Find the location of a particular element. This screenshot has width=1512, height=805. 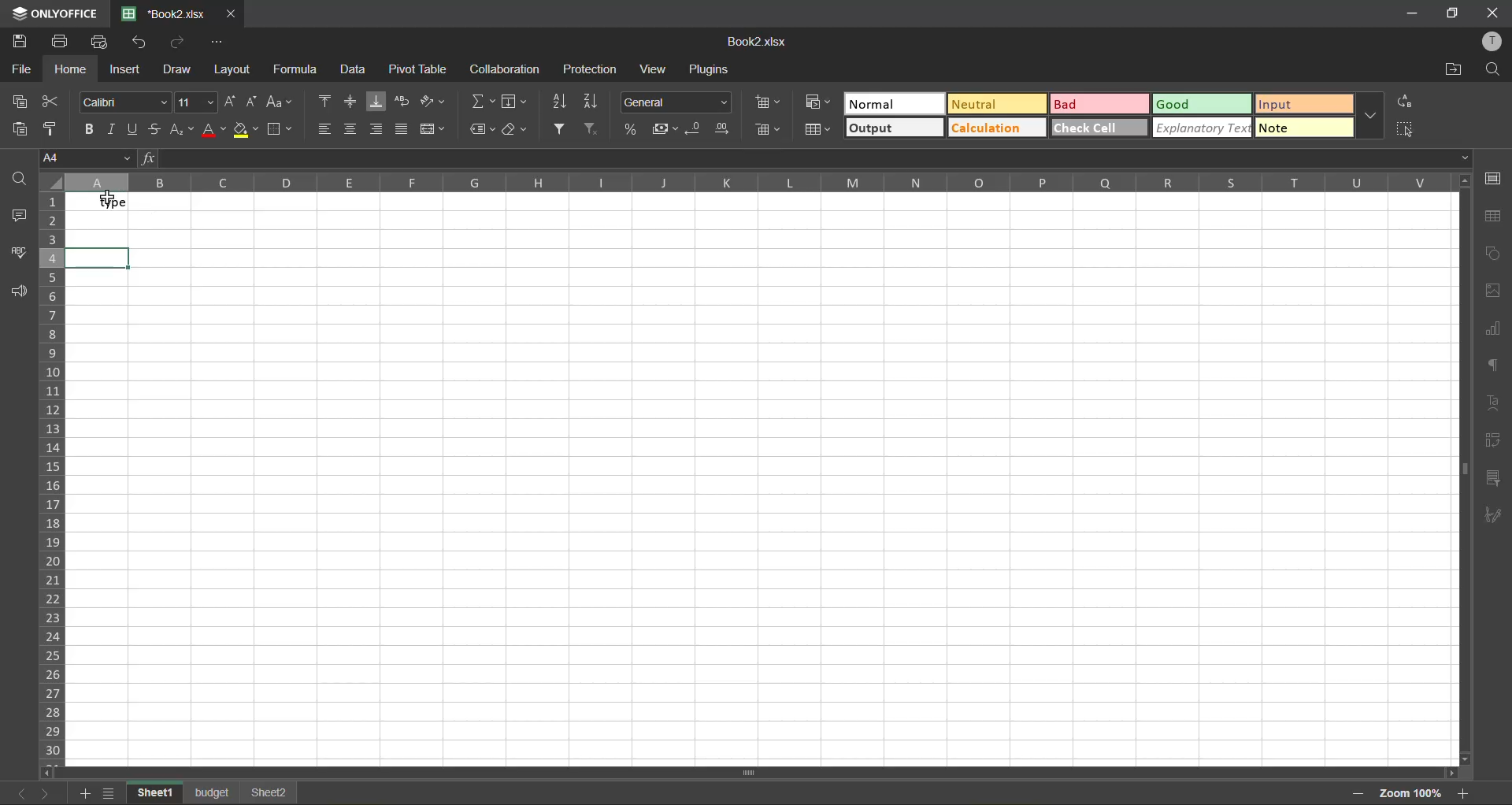

check cell is located at coordinates (1099, 128).